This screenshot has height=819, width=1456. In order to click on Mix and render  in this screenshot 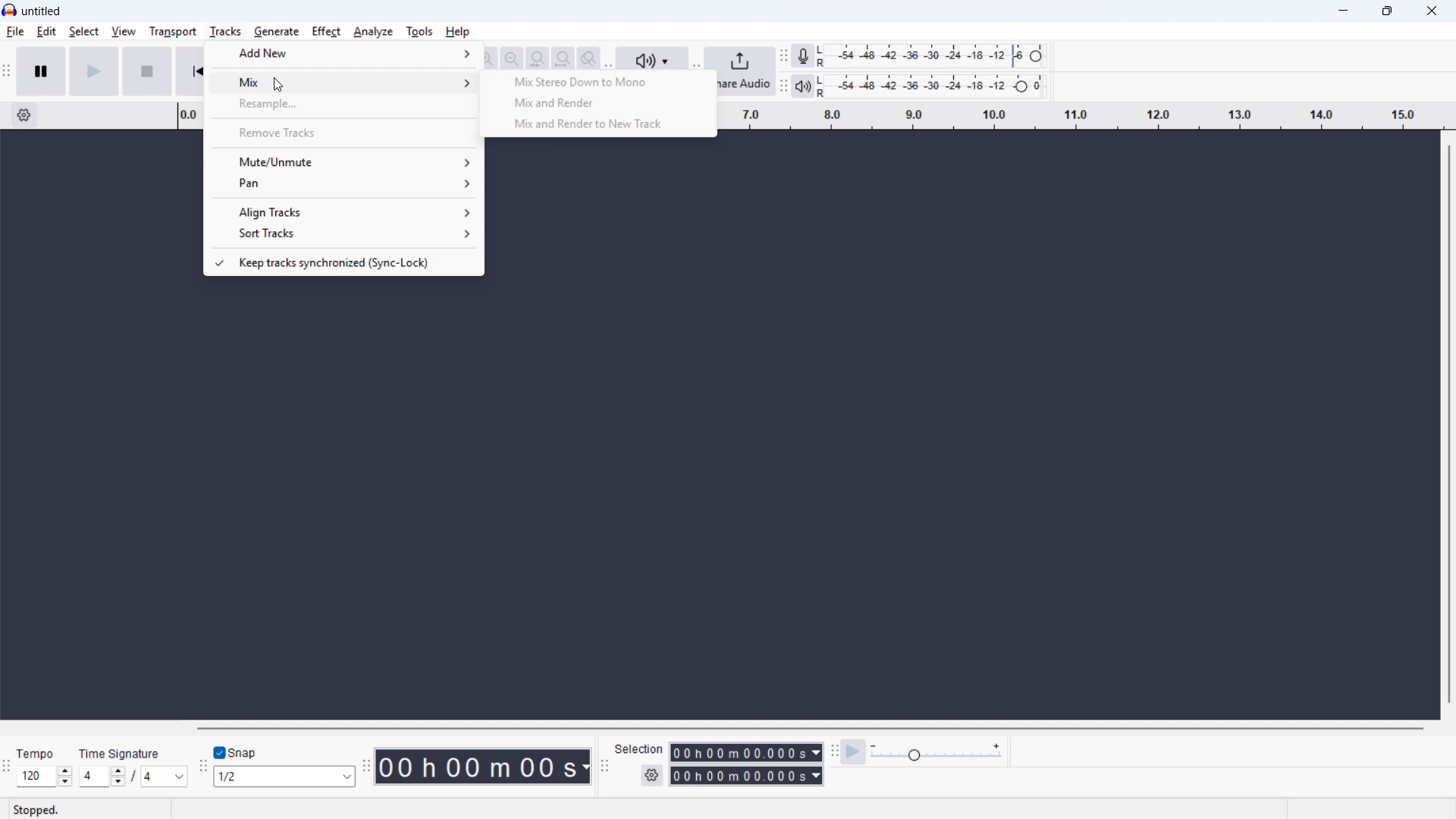, I will do `click(597, 102)`.